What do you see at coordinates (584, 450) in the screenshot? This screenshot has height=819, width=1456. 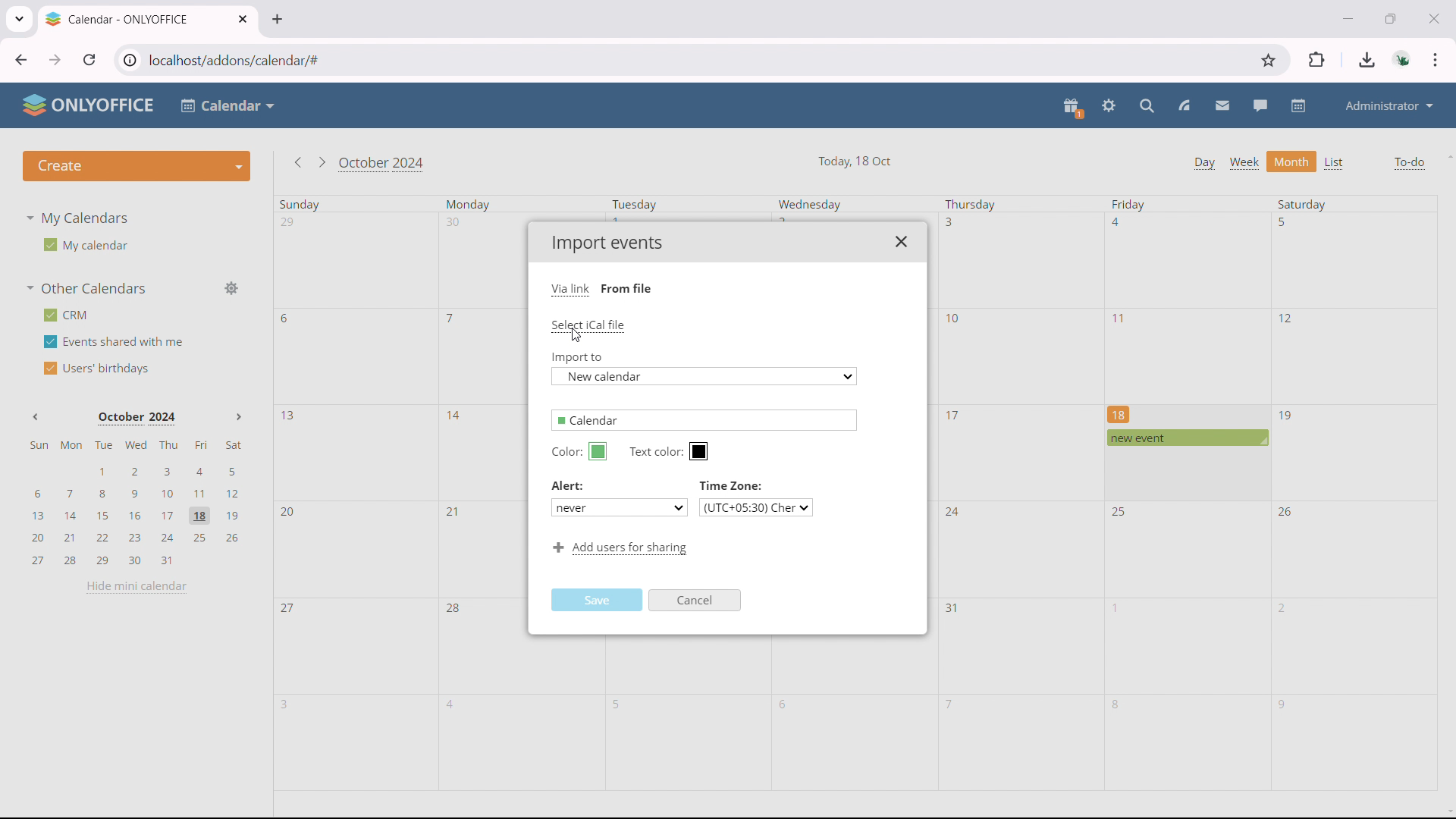 I see `Color:` at bounding box center [584, 450].